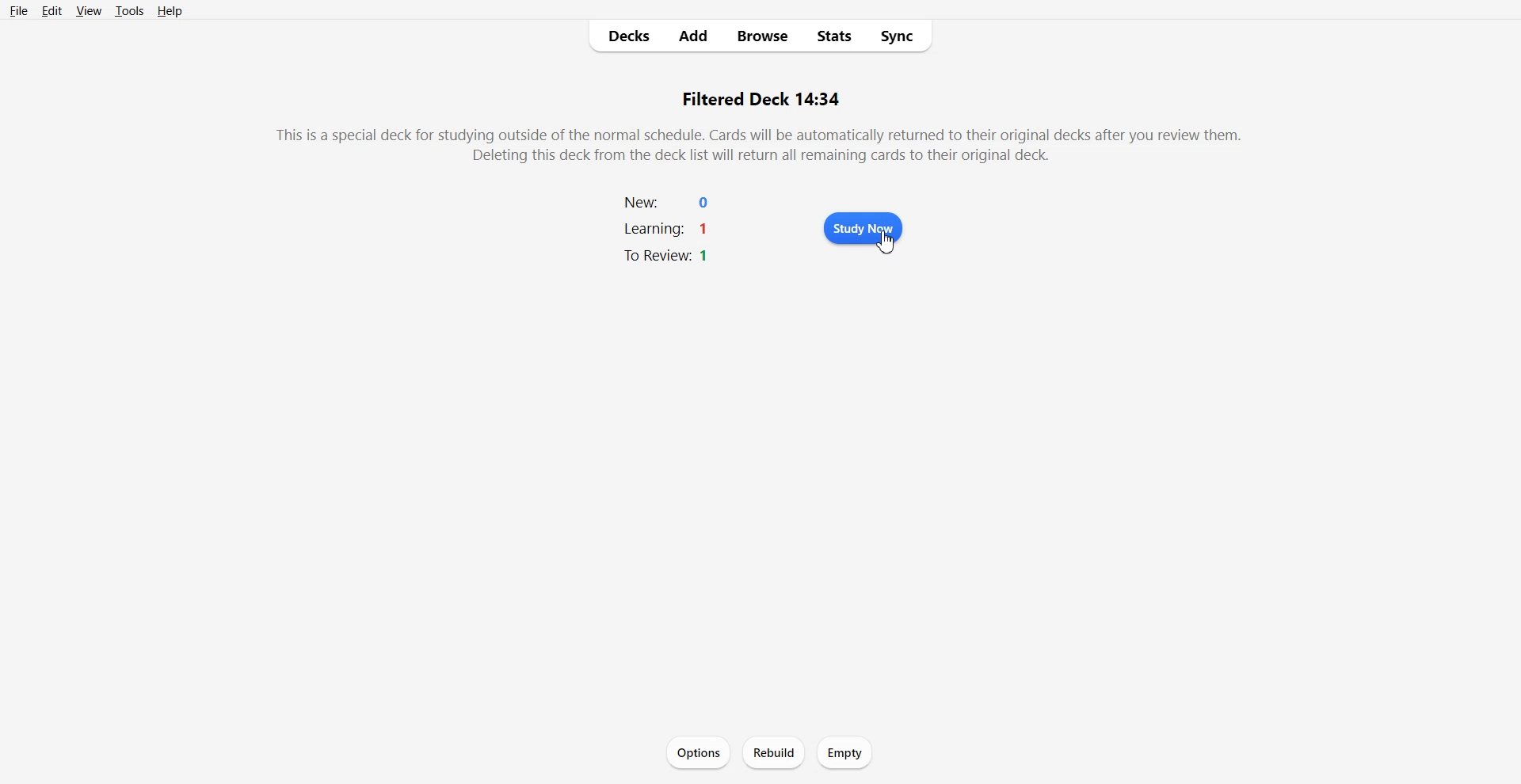 The height and width of the screenshot is (784, 1521). What do you see at coordinates (623, 36) in the screenshot?
I see `Decks` at bounding box center [623, 36].